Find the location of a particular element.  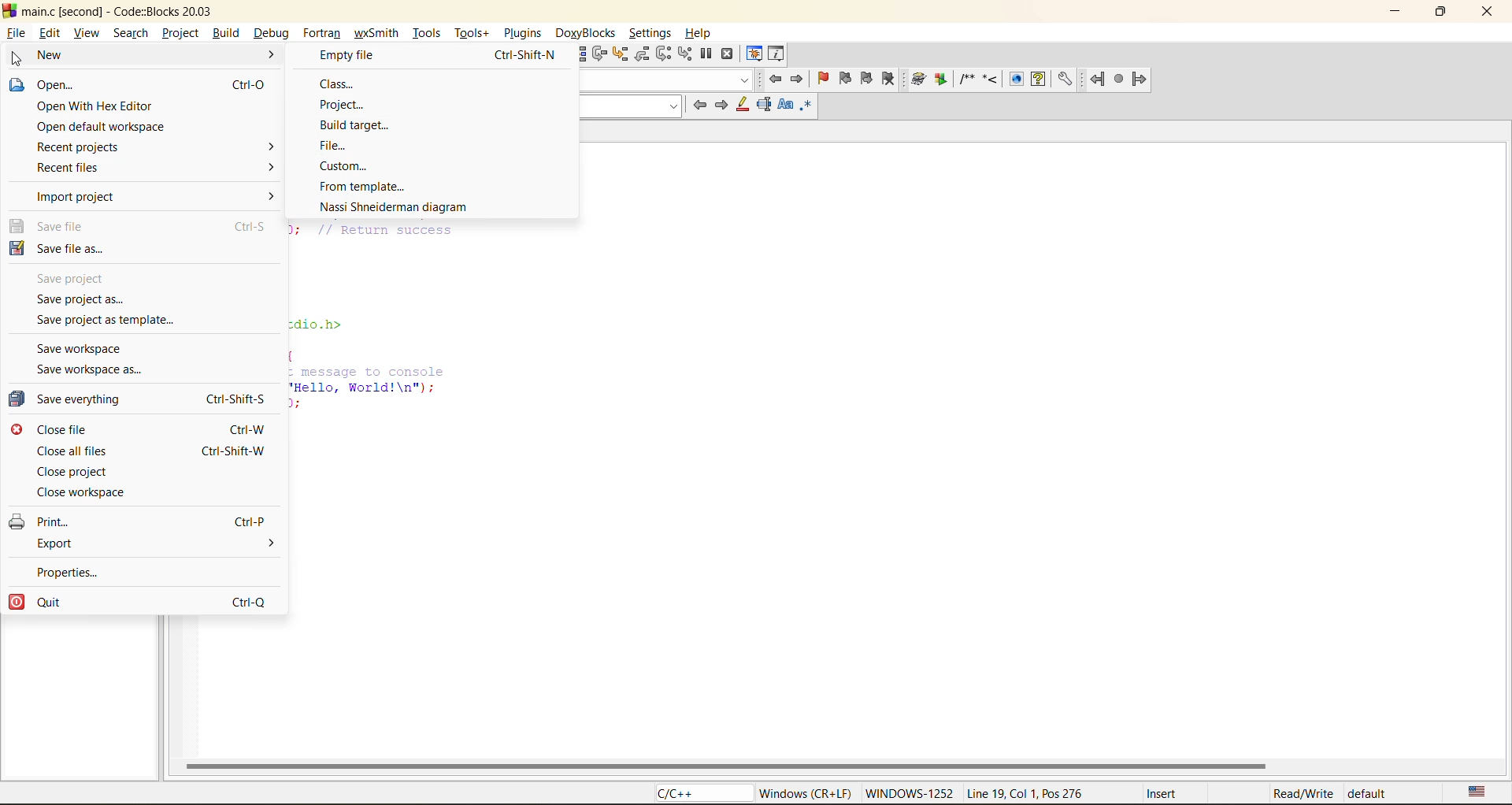

file is located at coordinates (15, 33).